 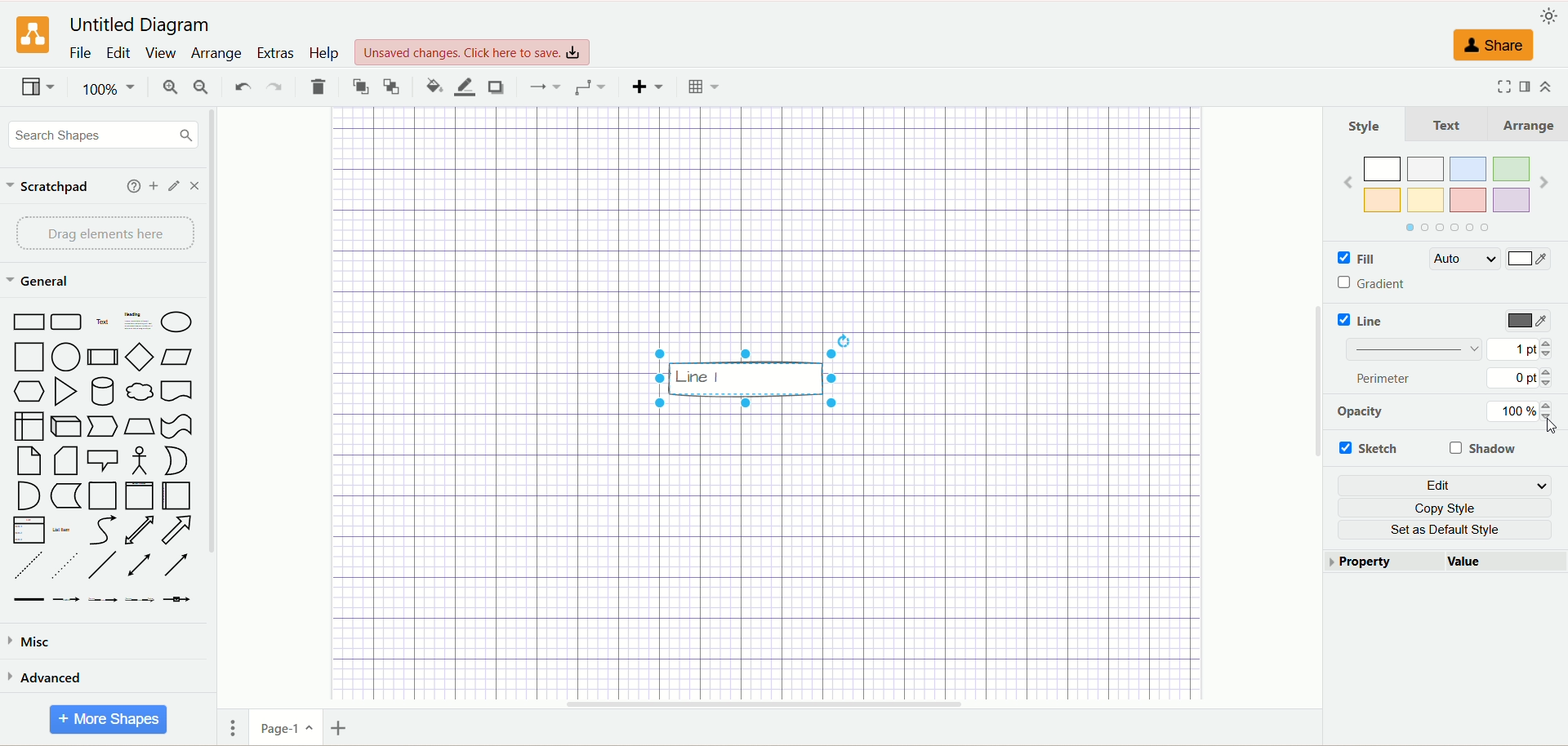 I want to click on Textbox, so click(x=136, y=321).